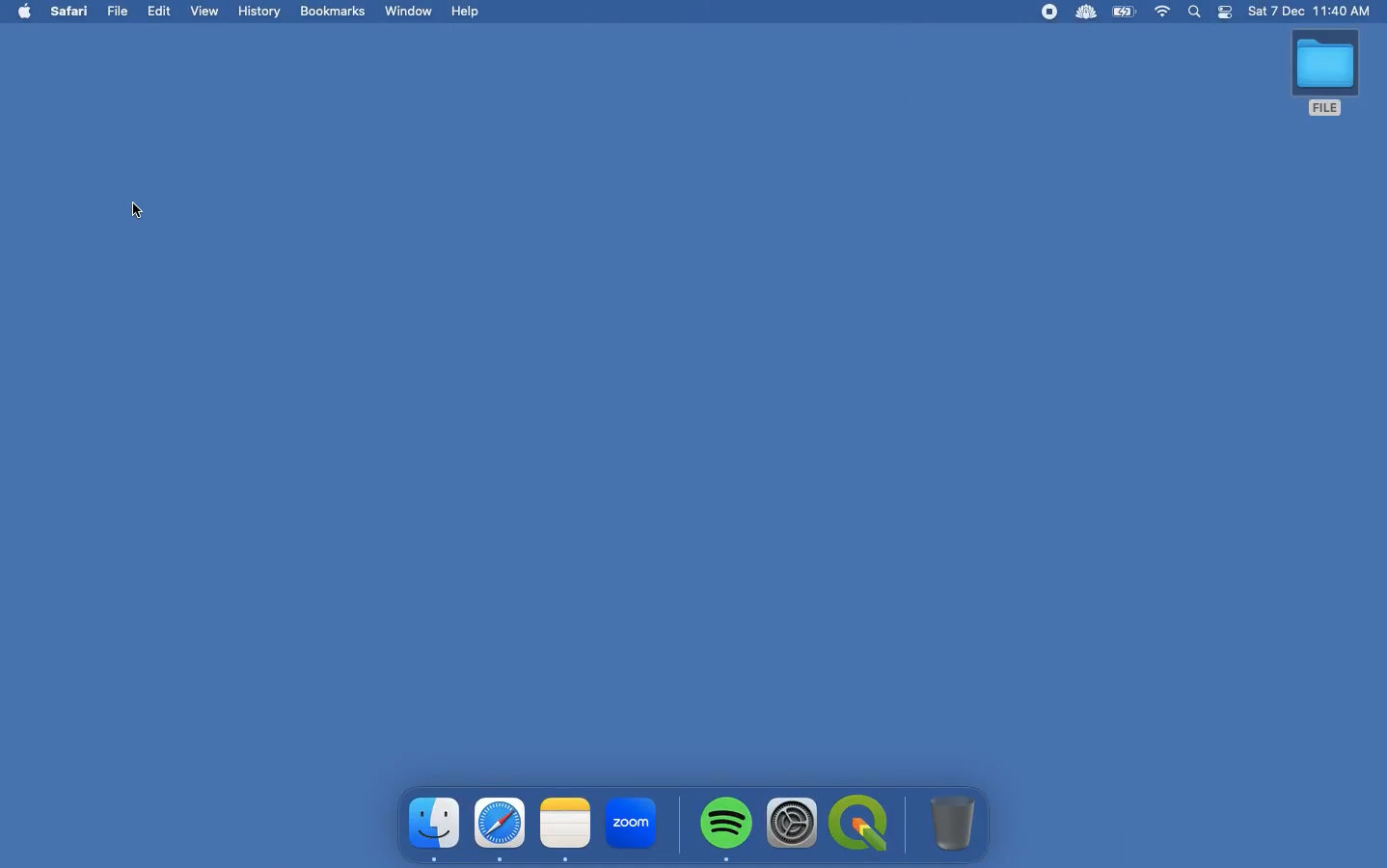 This screenshot has width=1387, height=868. I want to click on Exited QGIS, so click(142, 211).